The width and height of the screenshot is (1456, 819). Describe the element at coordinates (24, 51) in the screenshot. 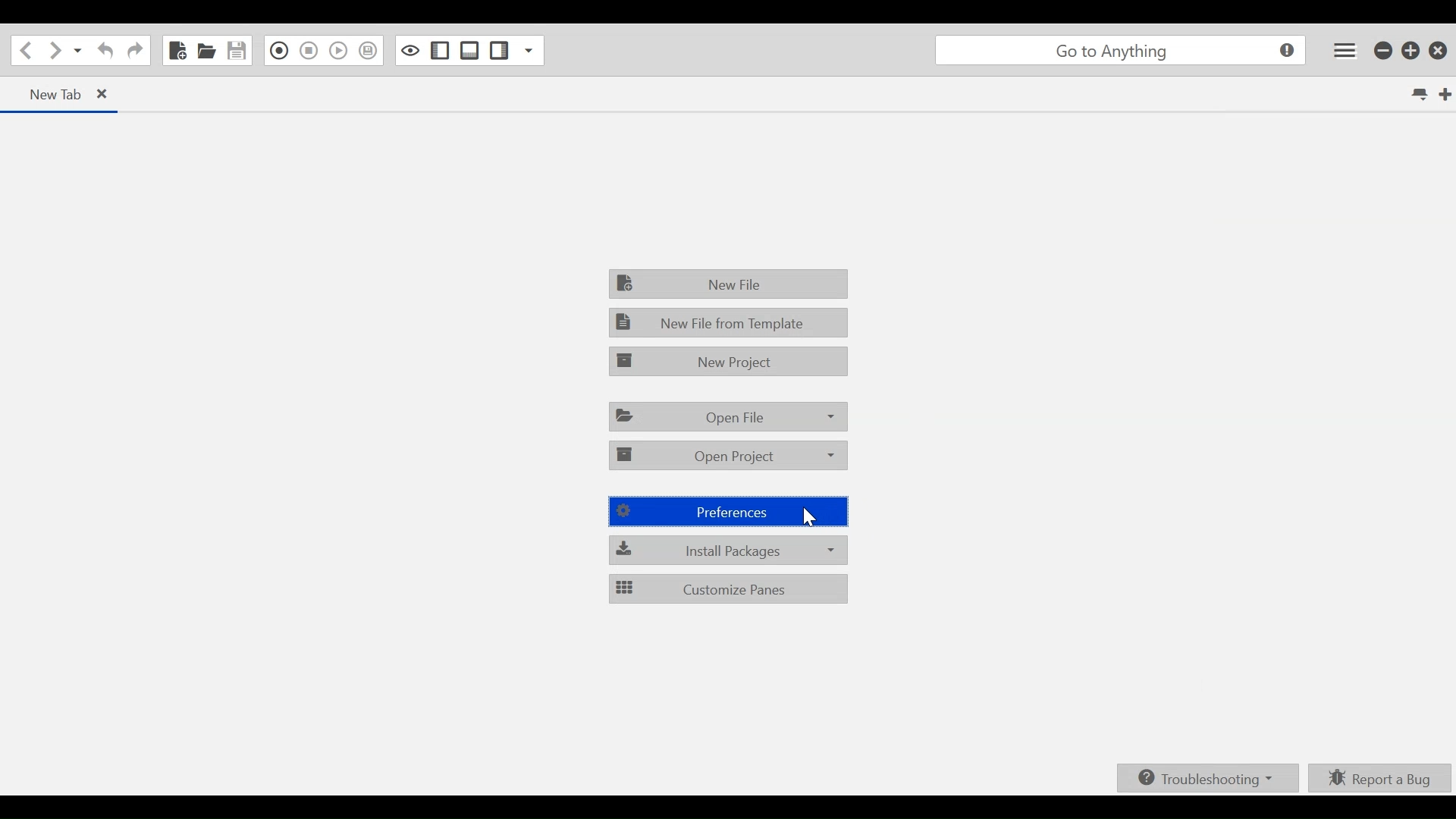

I see `Go back one location` at that location.